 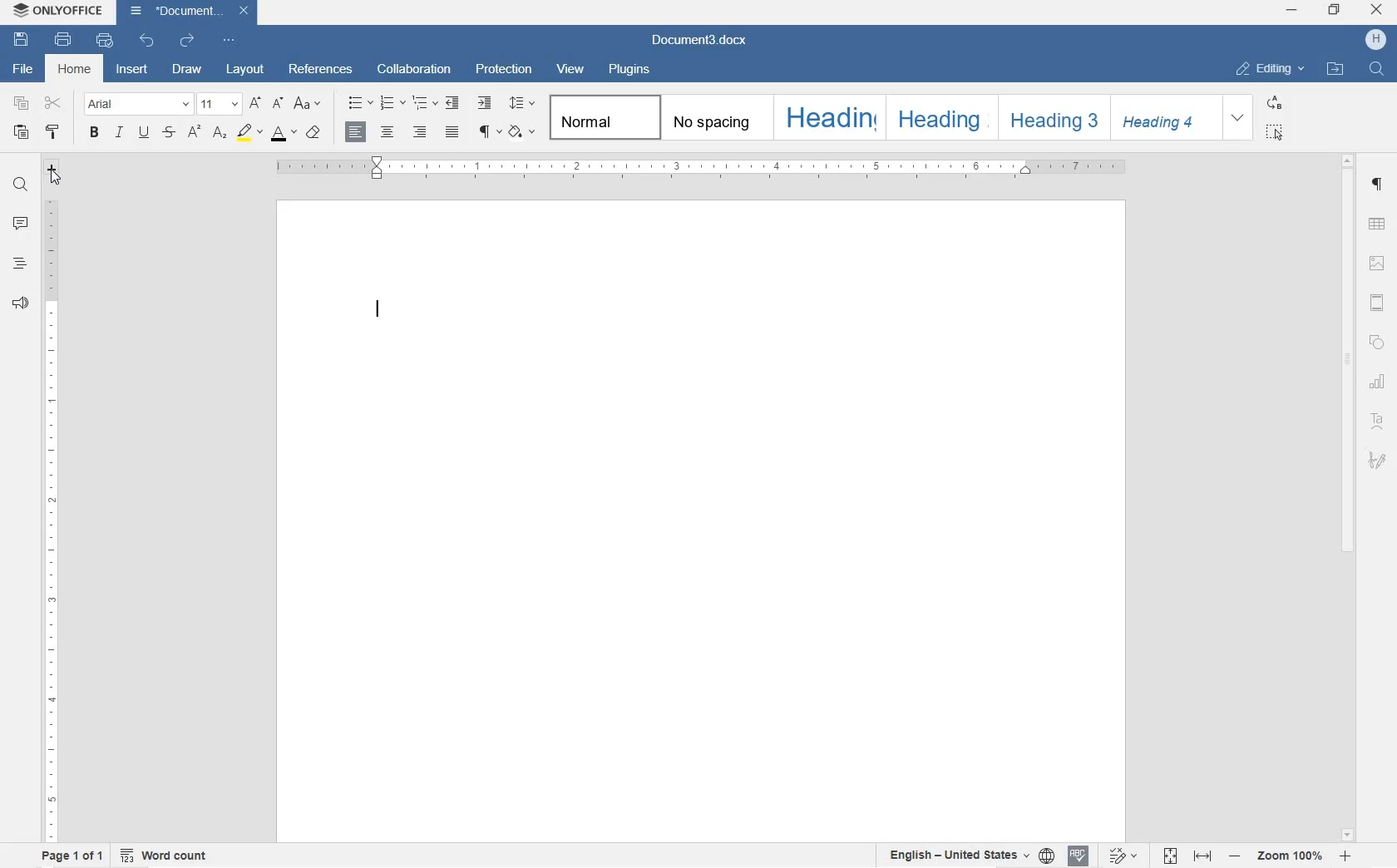 What do you see at coordinates (387, 133) in the screenshot?
I see `CENTER ALIGNMENT` at bounding box center [387, 133].